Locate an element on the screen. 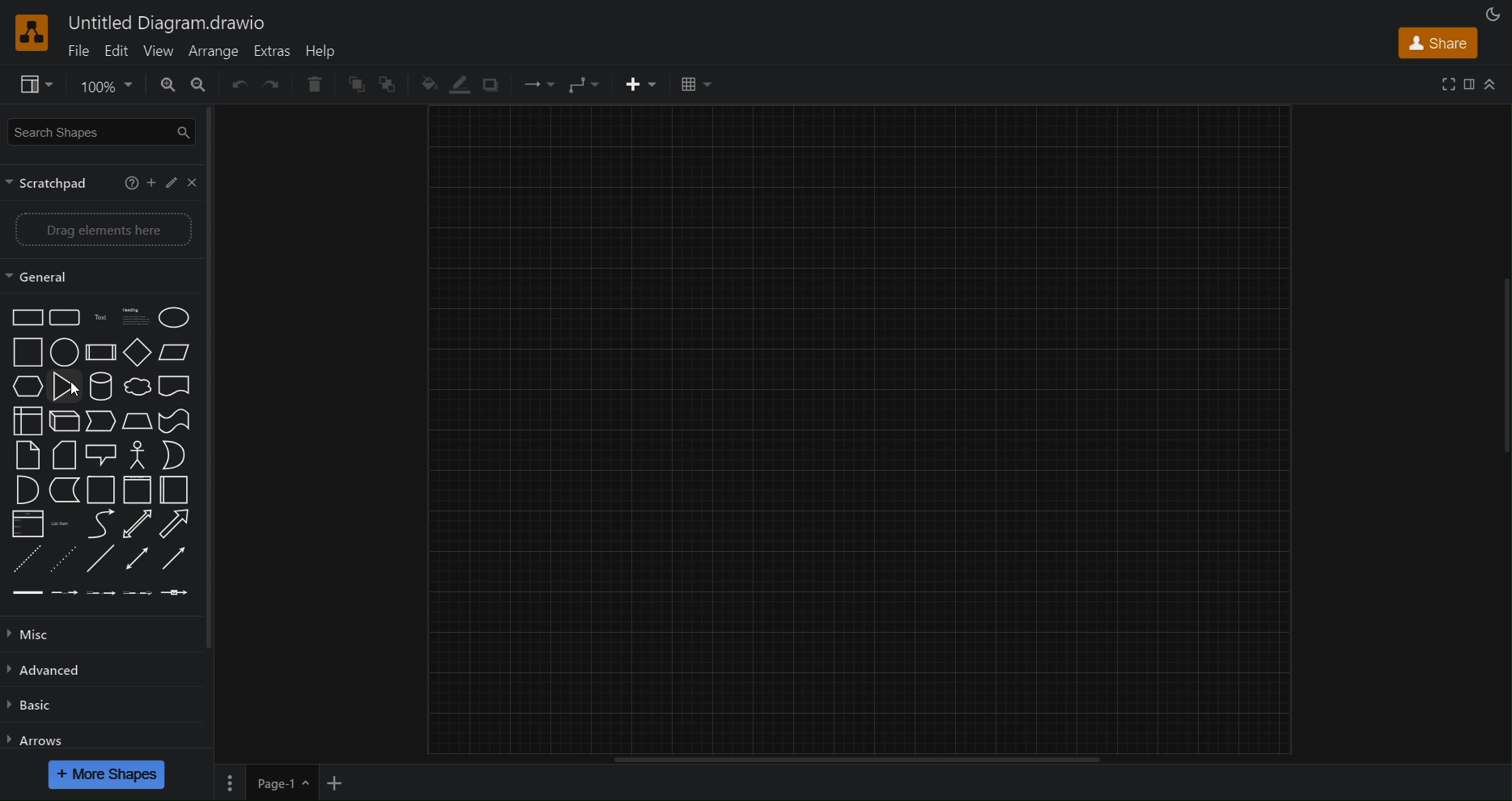  Untitled Diagram.drawio is located at coordinates (171, 23).